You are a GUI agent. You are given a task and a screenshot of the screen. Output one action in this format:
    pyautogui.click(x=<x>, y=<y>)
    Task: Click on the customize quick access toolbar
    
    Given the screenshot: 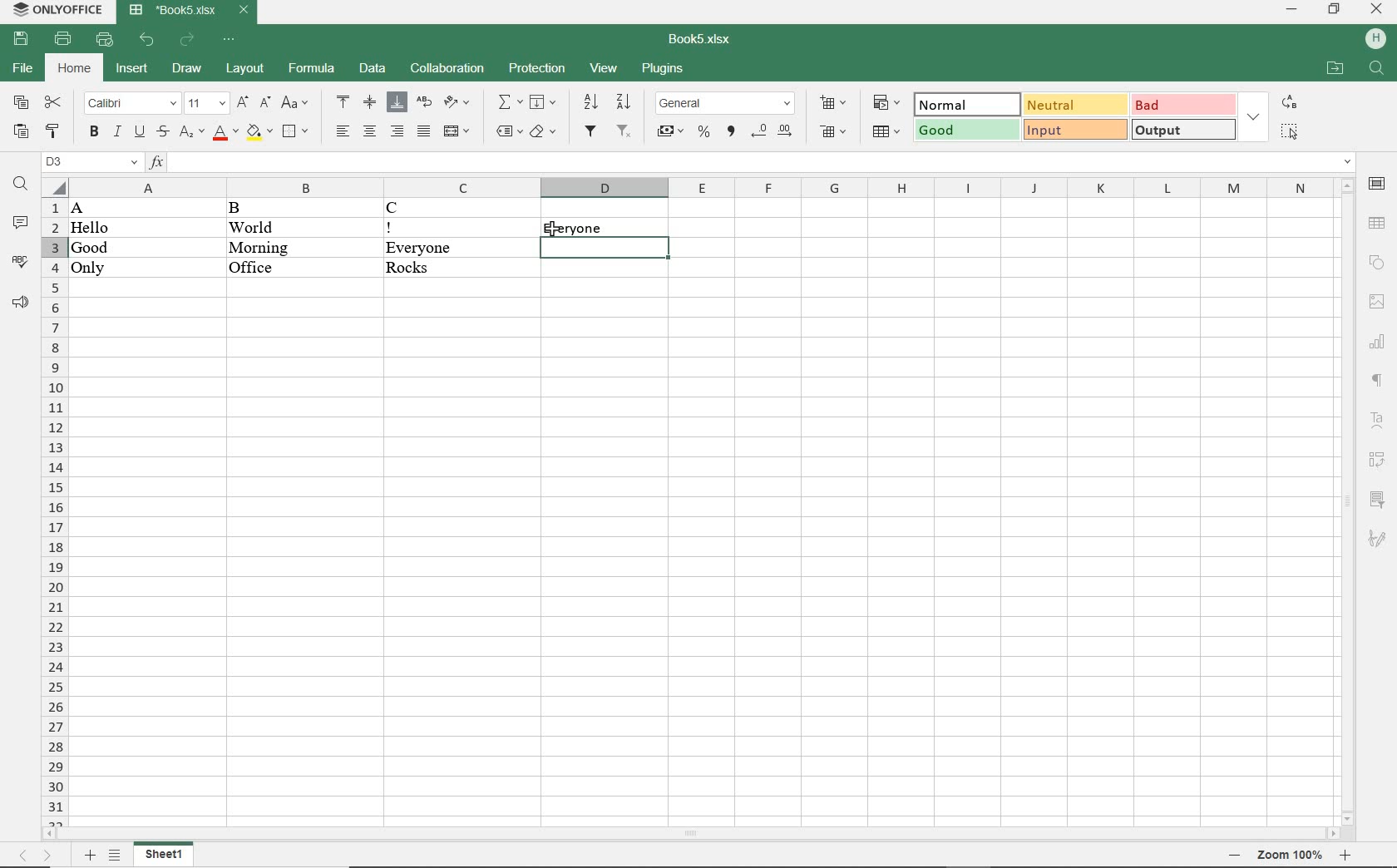 What is the action you would take?
    pyautogui.click(x=229, y=40)
    